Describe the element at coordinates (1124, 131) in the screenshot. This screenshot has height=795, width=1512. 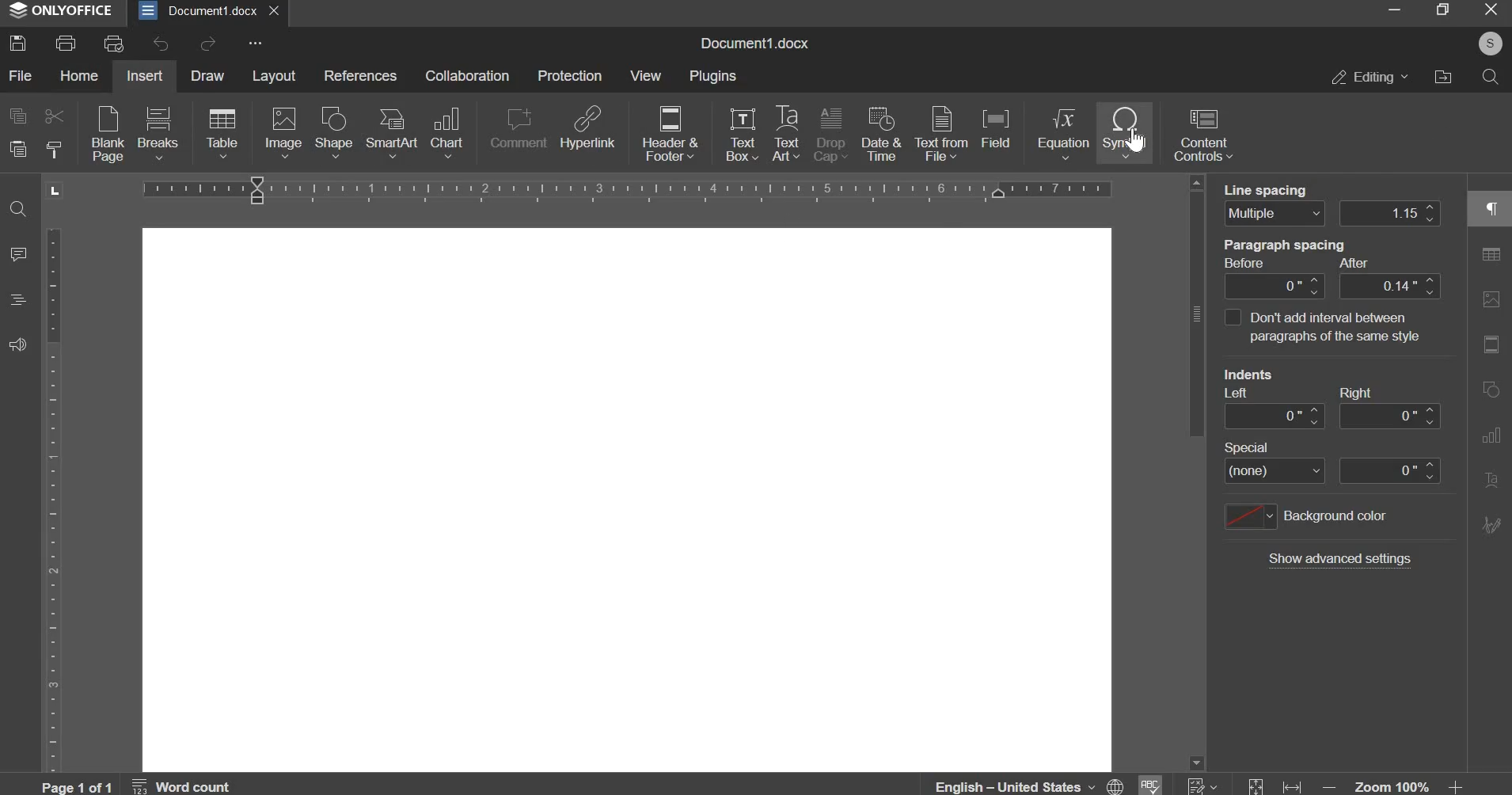
I see `symbol` at that location.